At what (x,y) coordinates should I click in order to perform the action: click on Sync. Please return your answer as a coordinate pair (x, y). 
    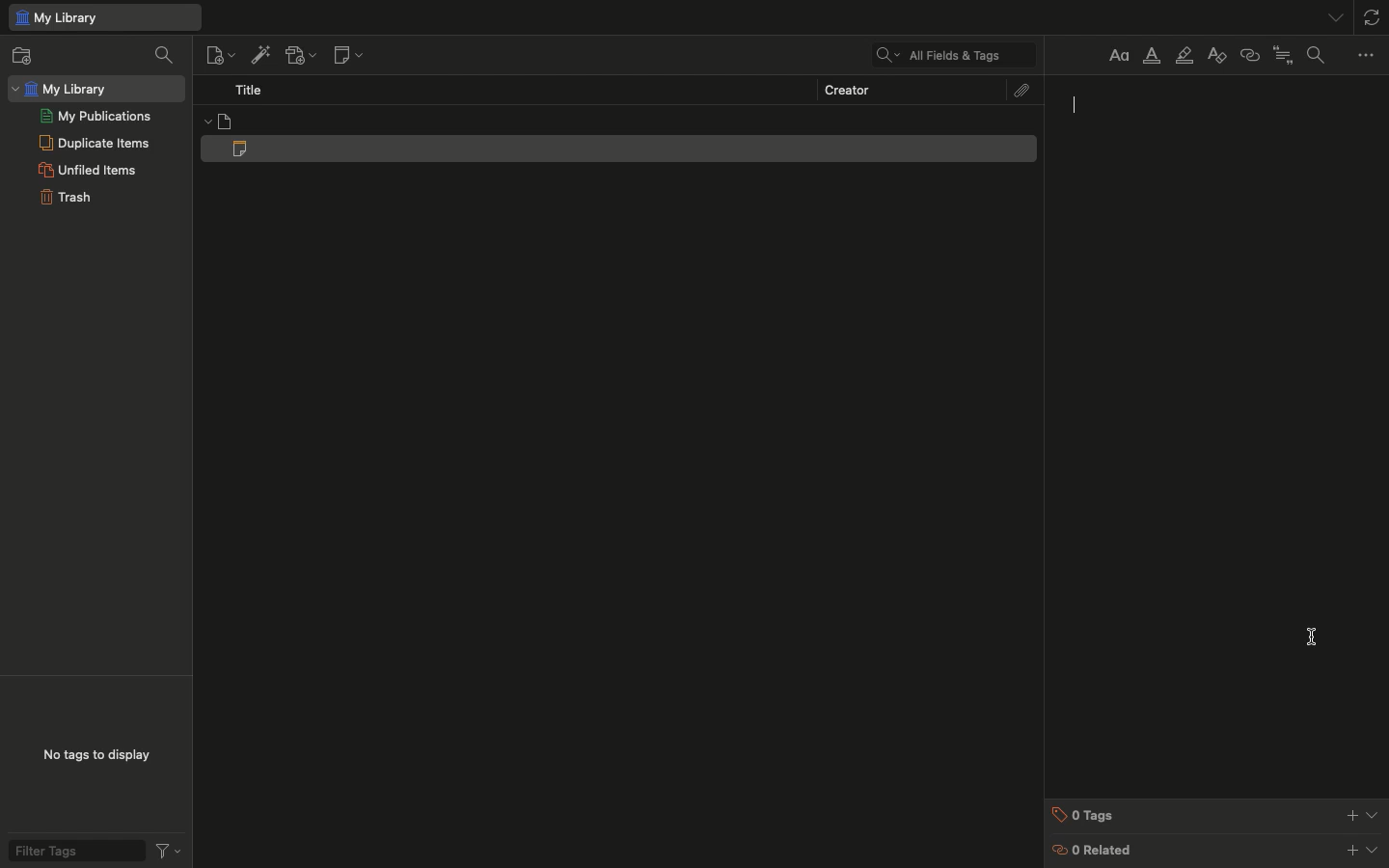
    Looking at the image, I should click on (1374, 14).